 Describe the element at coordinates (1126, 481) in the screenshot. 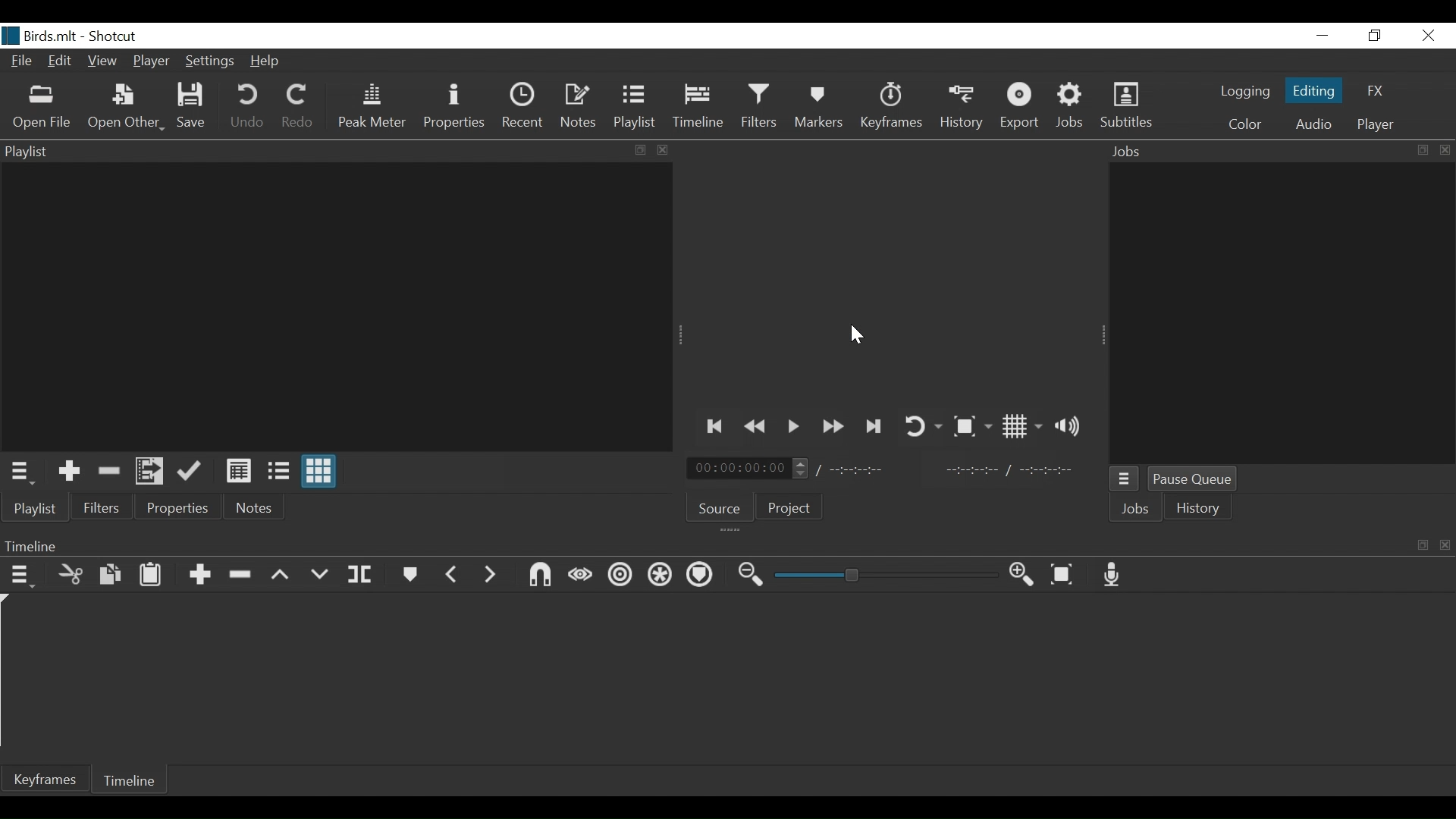

I see `Jobs Menu` at that location.